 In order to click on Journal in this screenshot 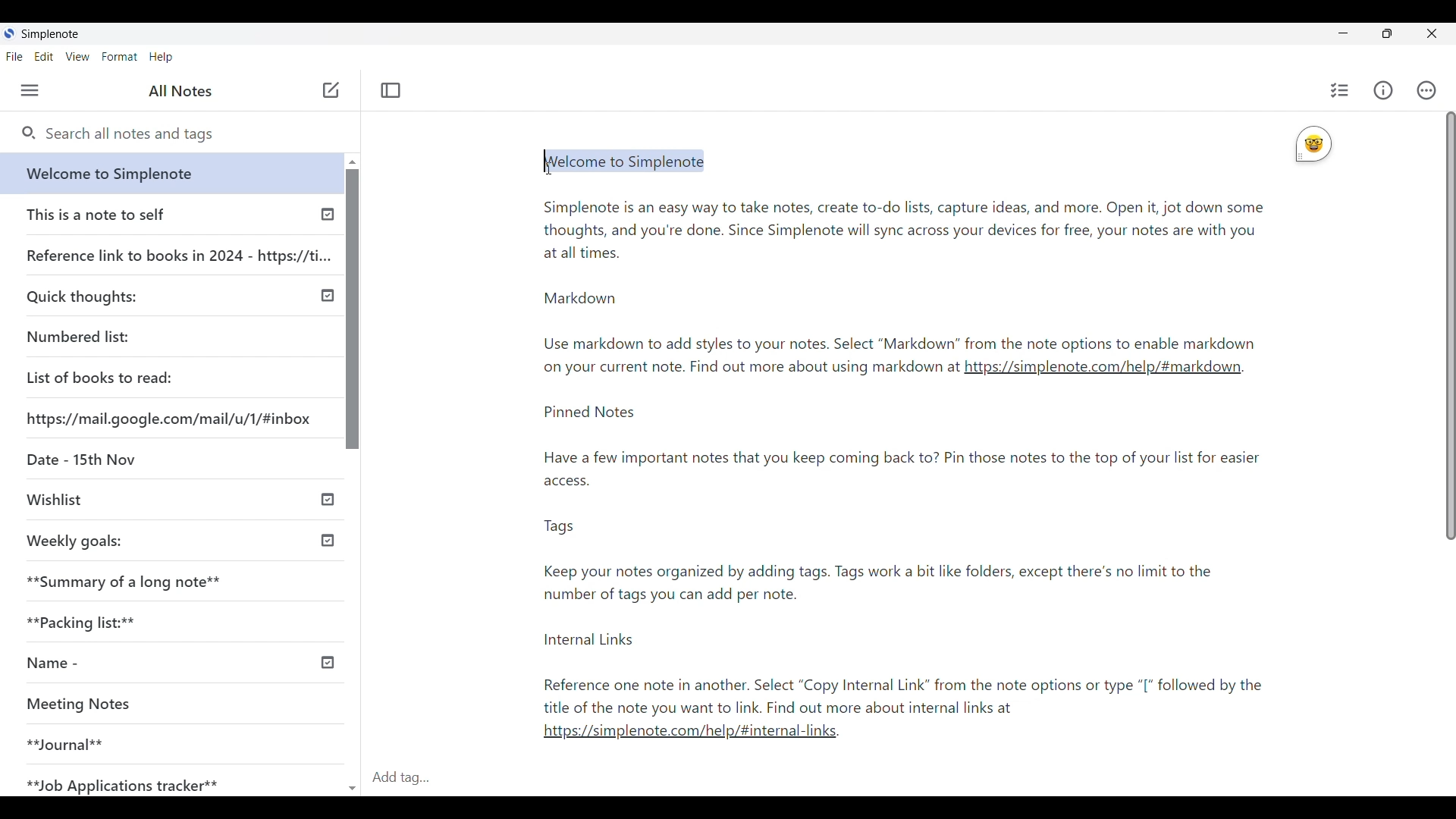, I will do `click(65, 743)`.